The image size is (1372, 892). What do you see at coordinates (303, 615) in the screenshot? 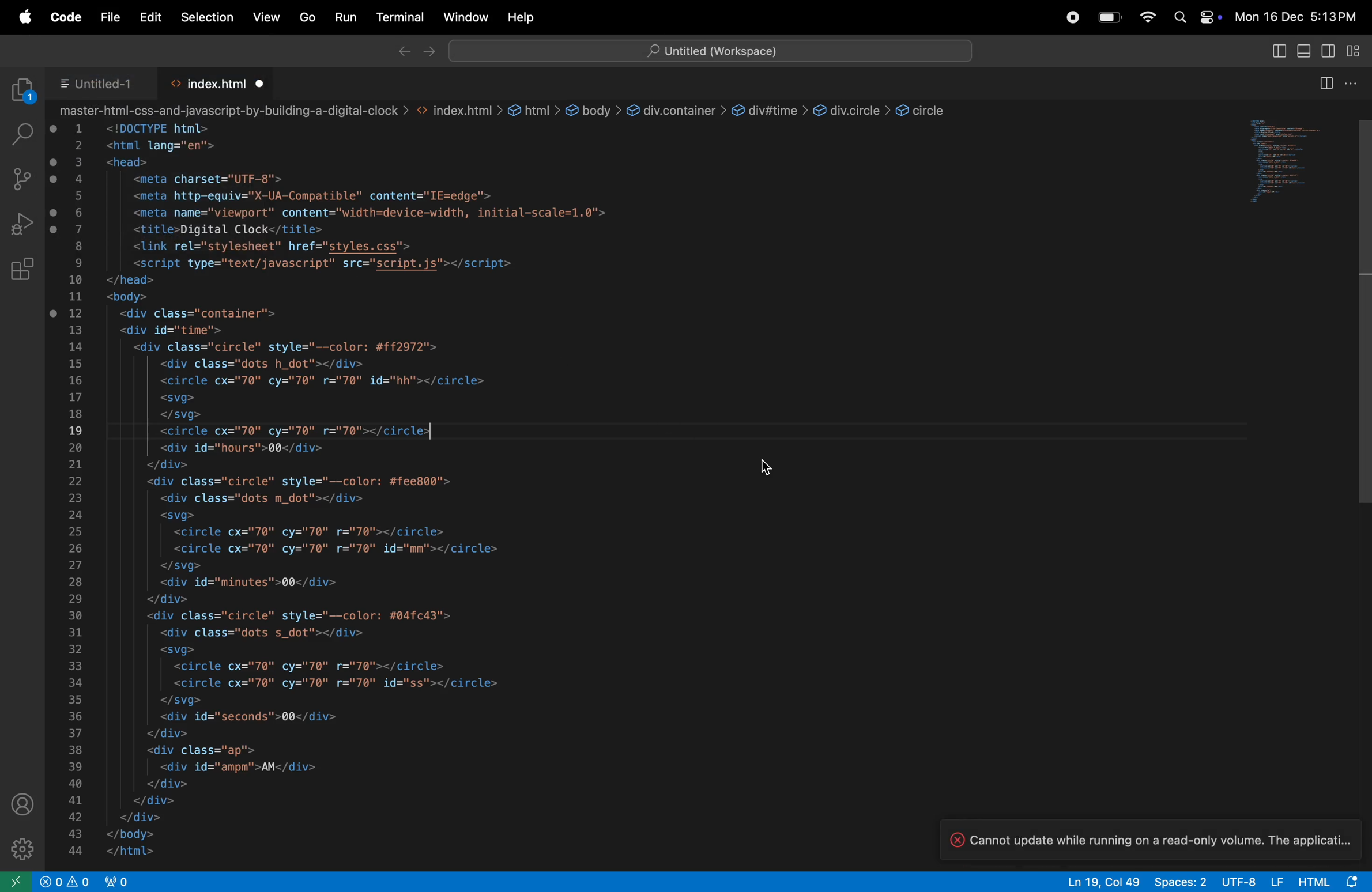
I see `<div class="circle" style="--color: #04fc43">` at bounding box center [303, 615].